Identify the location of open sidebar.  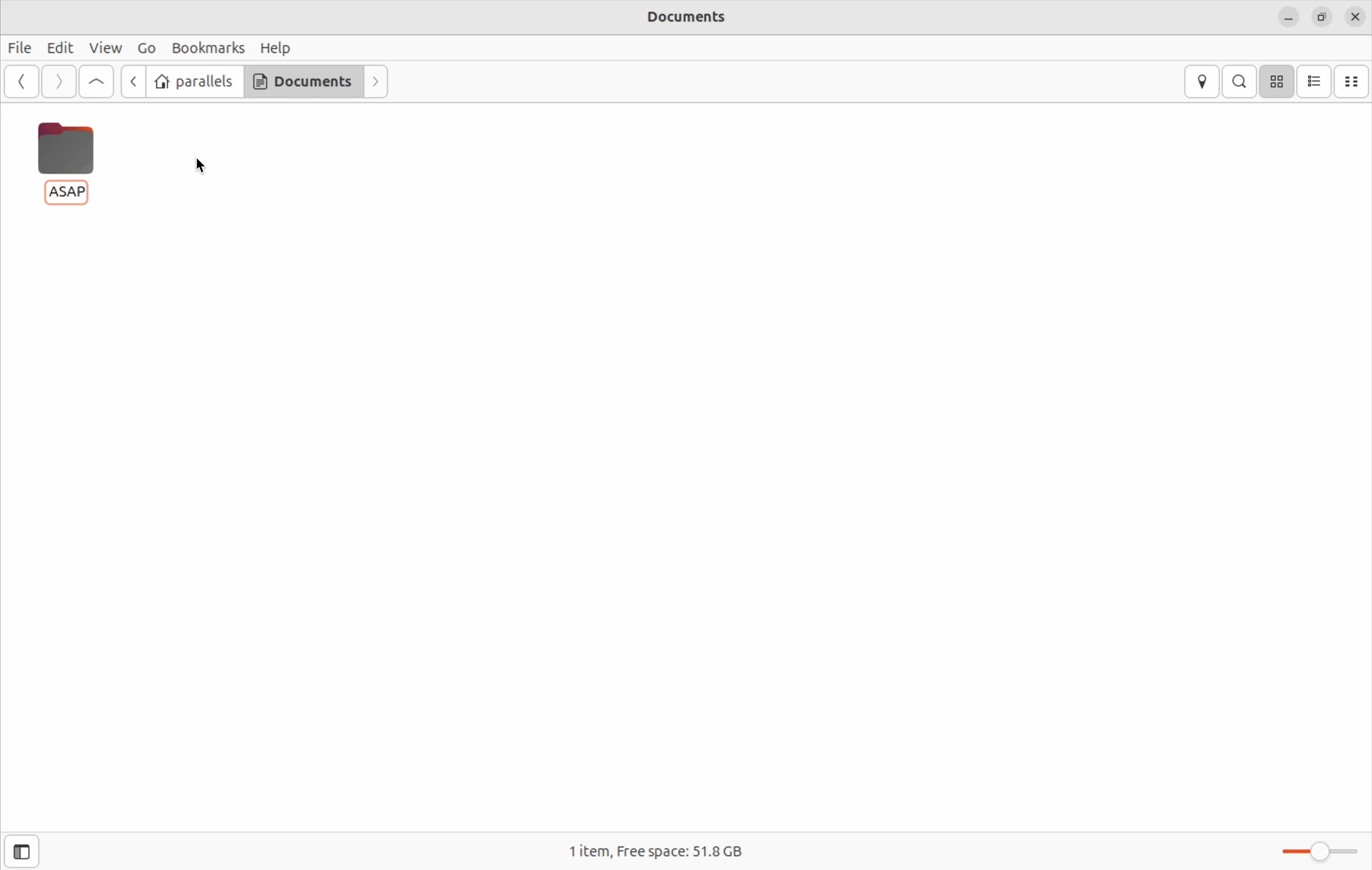
(32, 851).